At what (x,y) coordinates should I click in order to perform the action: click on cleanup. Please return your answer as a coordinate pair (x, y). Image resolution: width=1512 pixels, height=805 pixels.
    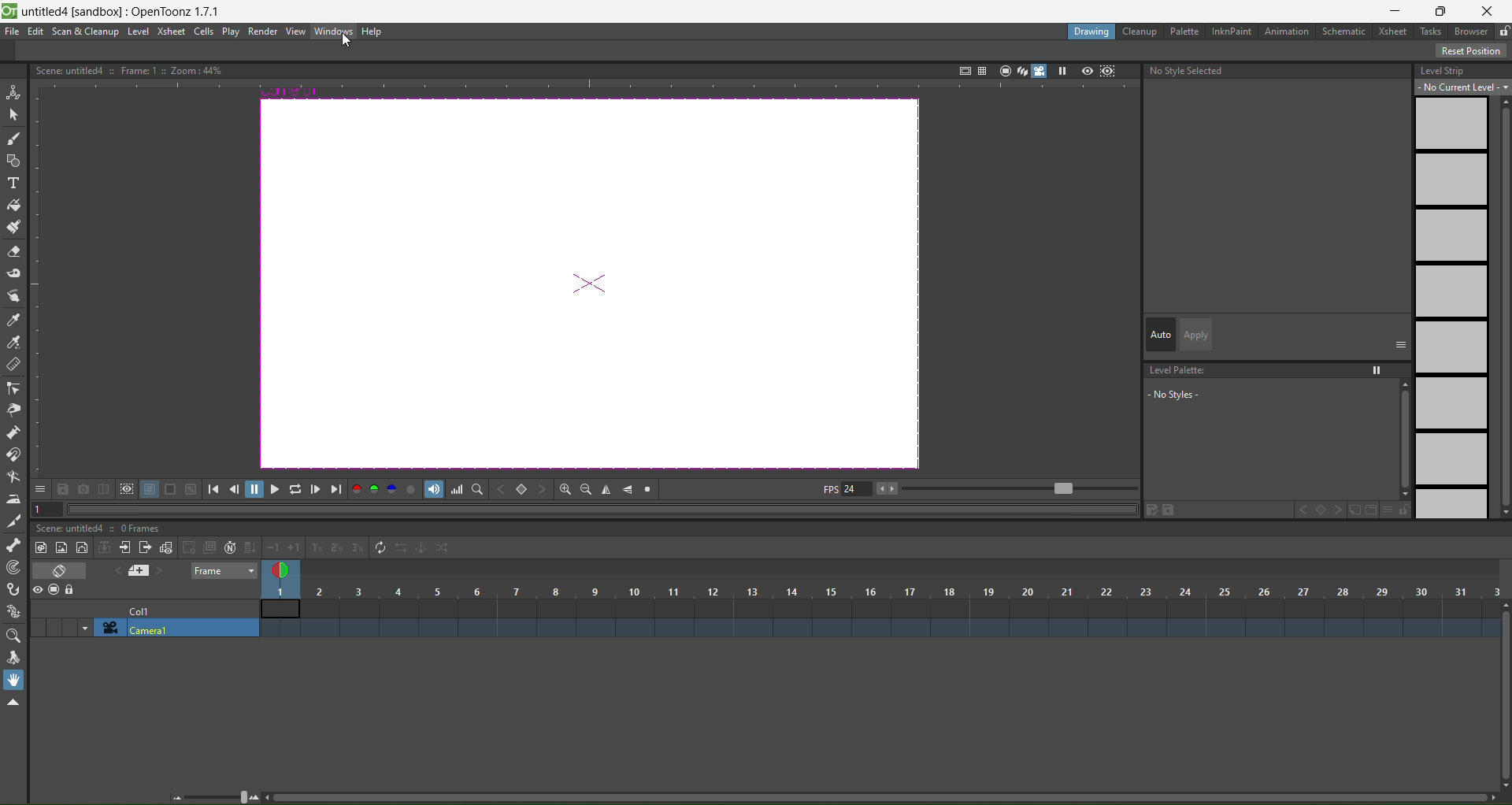
    Looking at the image, I should click on (1140, 32).